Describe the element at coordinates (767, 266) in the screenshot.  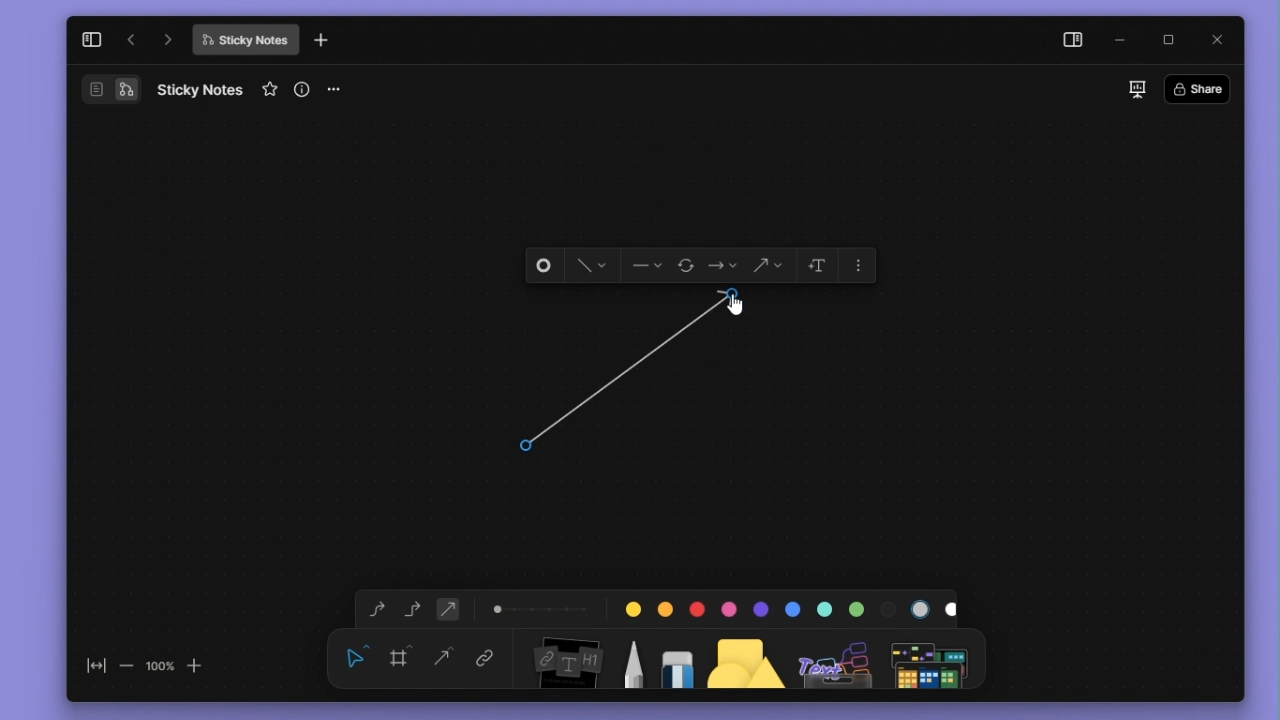
I see `connector shape` at that location.